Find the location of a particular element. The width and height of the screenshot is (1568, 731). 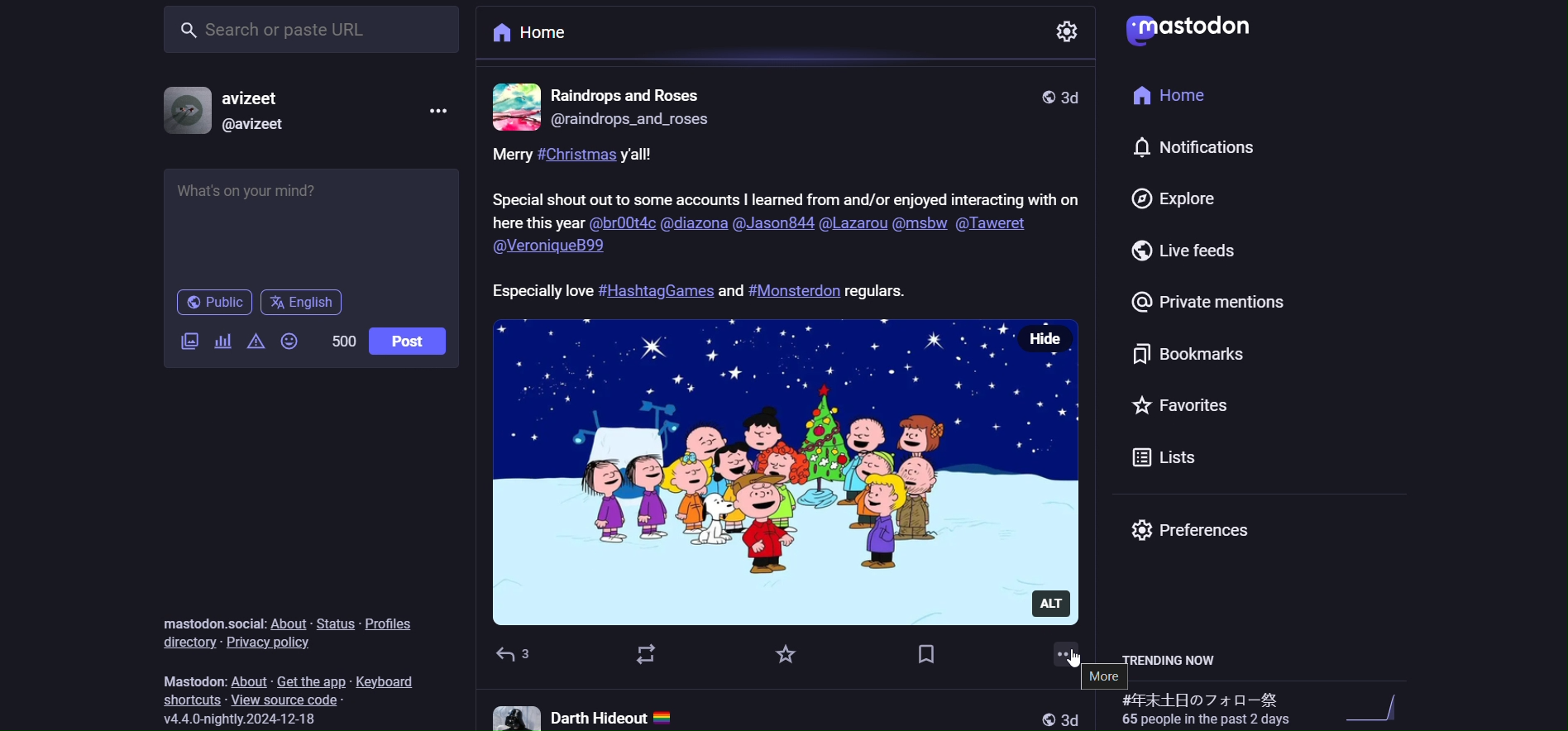

explore is located at coordinates (1172, 197).